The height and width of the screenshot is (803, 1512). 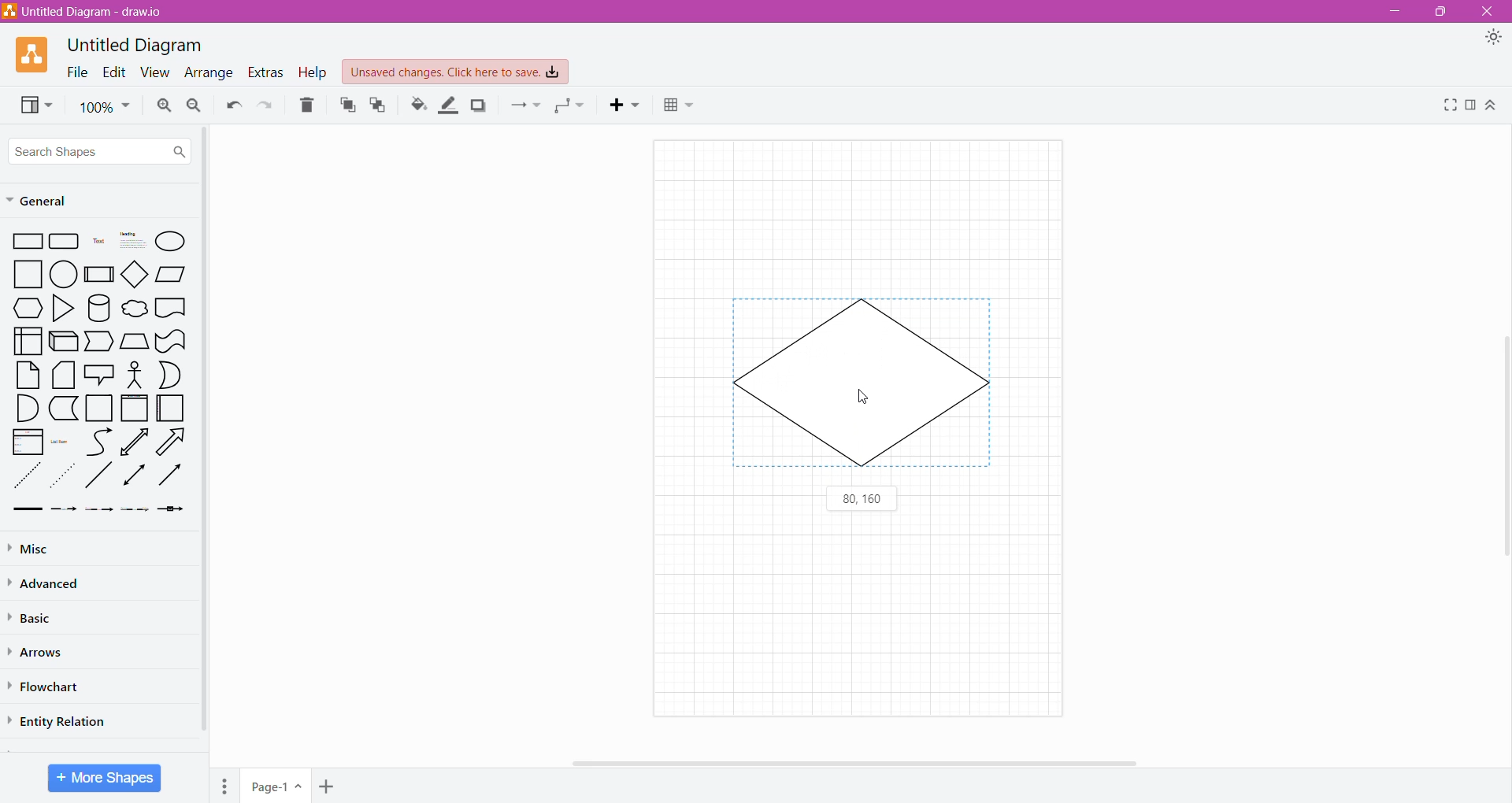 I want to click on Square, so click(x=28, y=274).